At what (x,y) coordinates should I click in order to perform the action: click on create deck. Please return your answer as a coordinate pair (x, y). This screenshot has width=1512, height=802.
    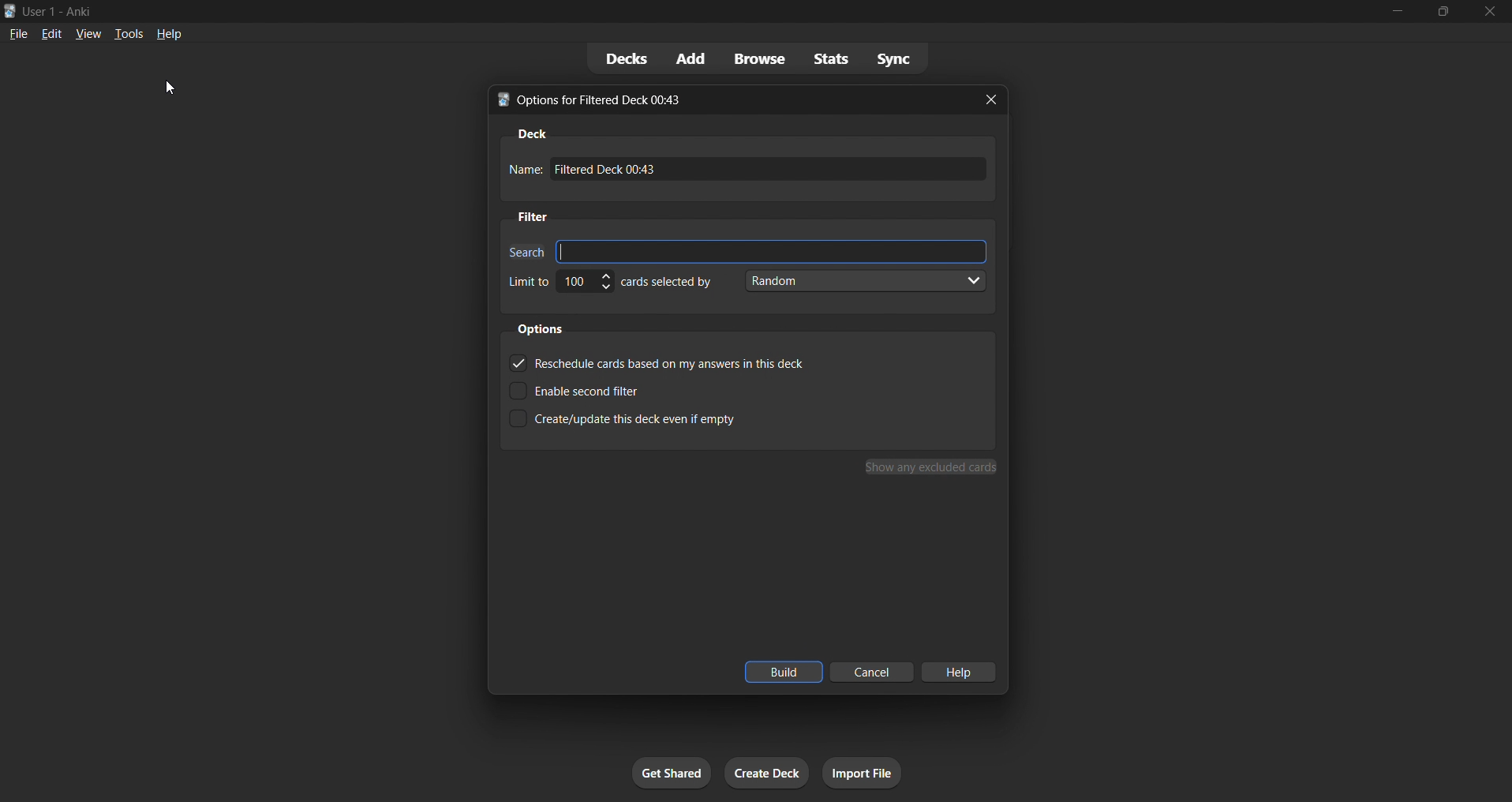
    Looking at the image, I should click on (764, 776).